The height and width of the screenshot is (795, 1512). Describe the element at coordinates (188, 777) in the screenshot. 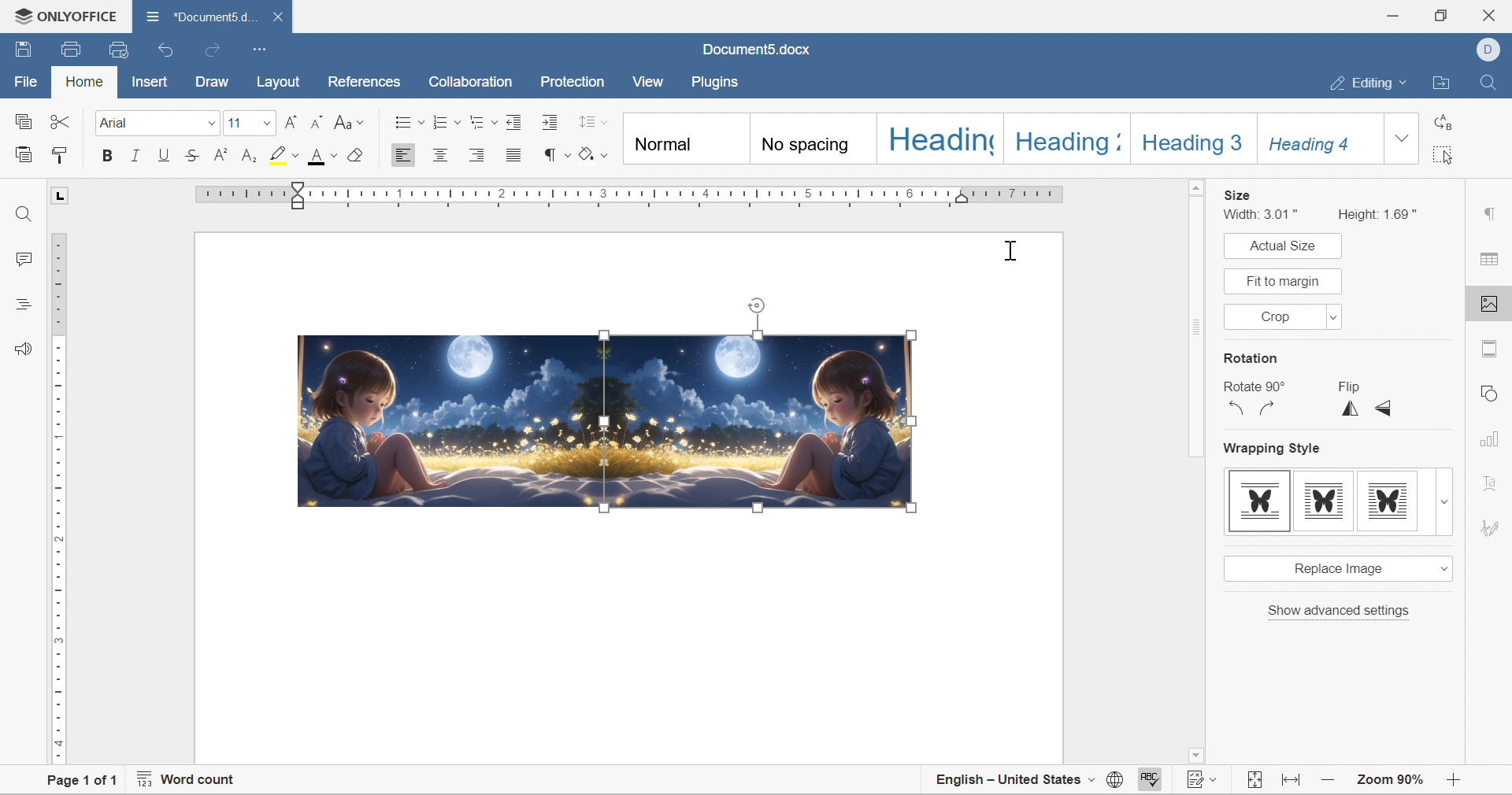

I see `word count` at that location.